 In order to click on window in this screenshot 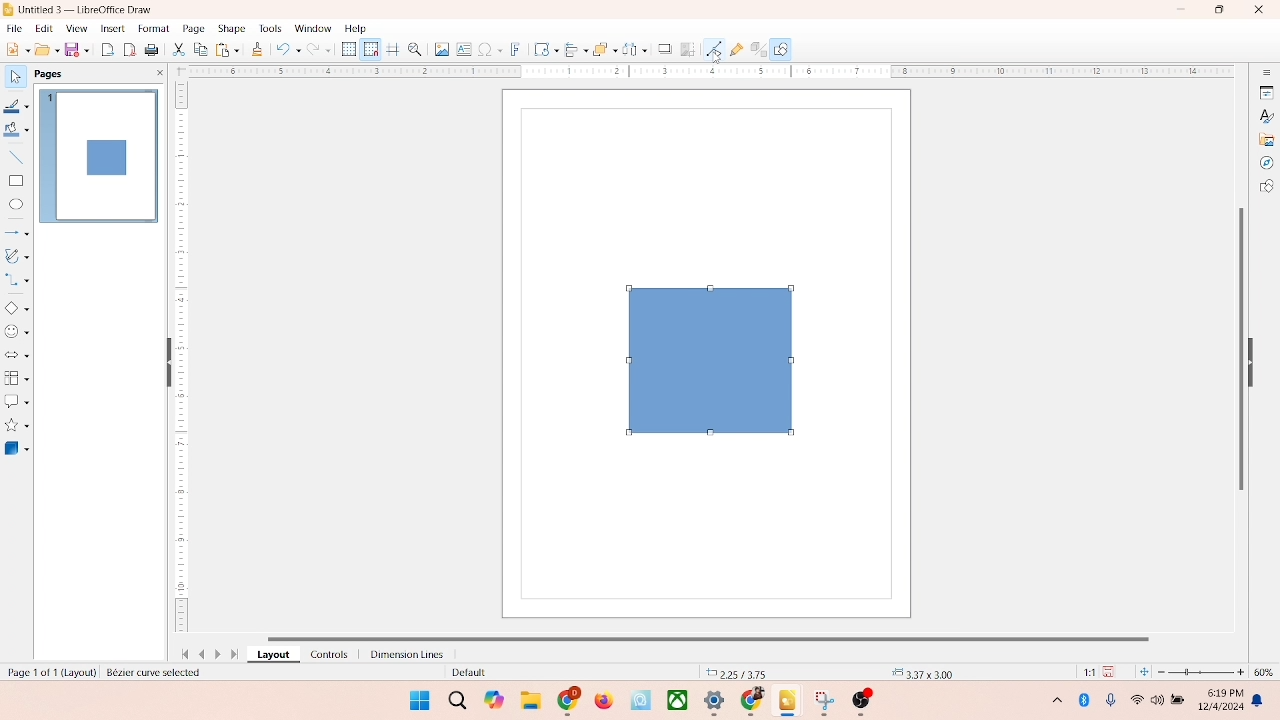, I will do `click(312, 29)`.